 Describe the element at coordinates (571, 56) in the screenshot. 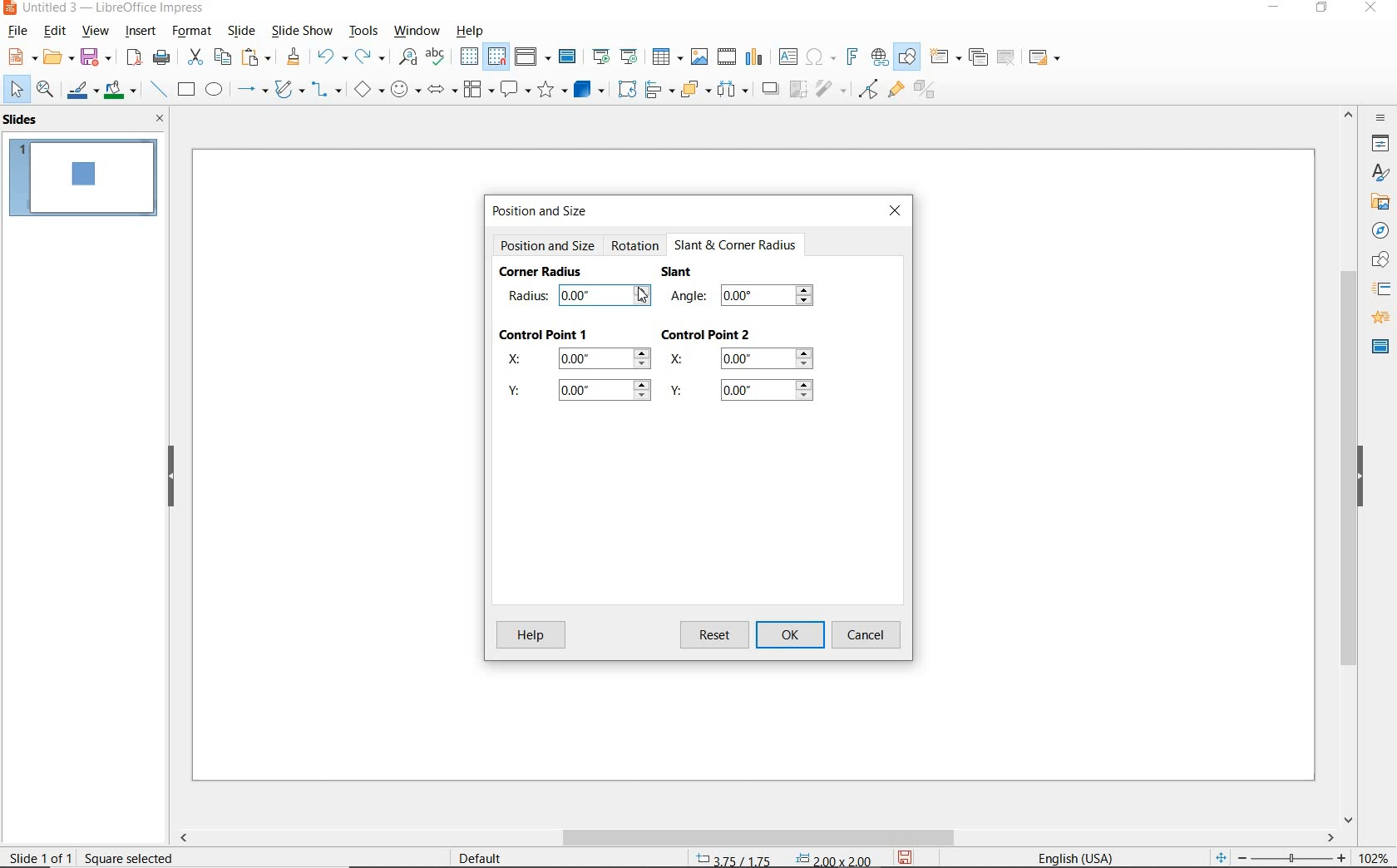

I see `master slide` at that location.